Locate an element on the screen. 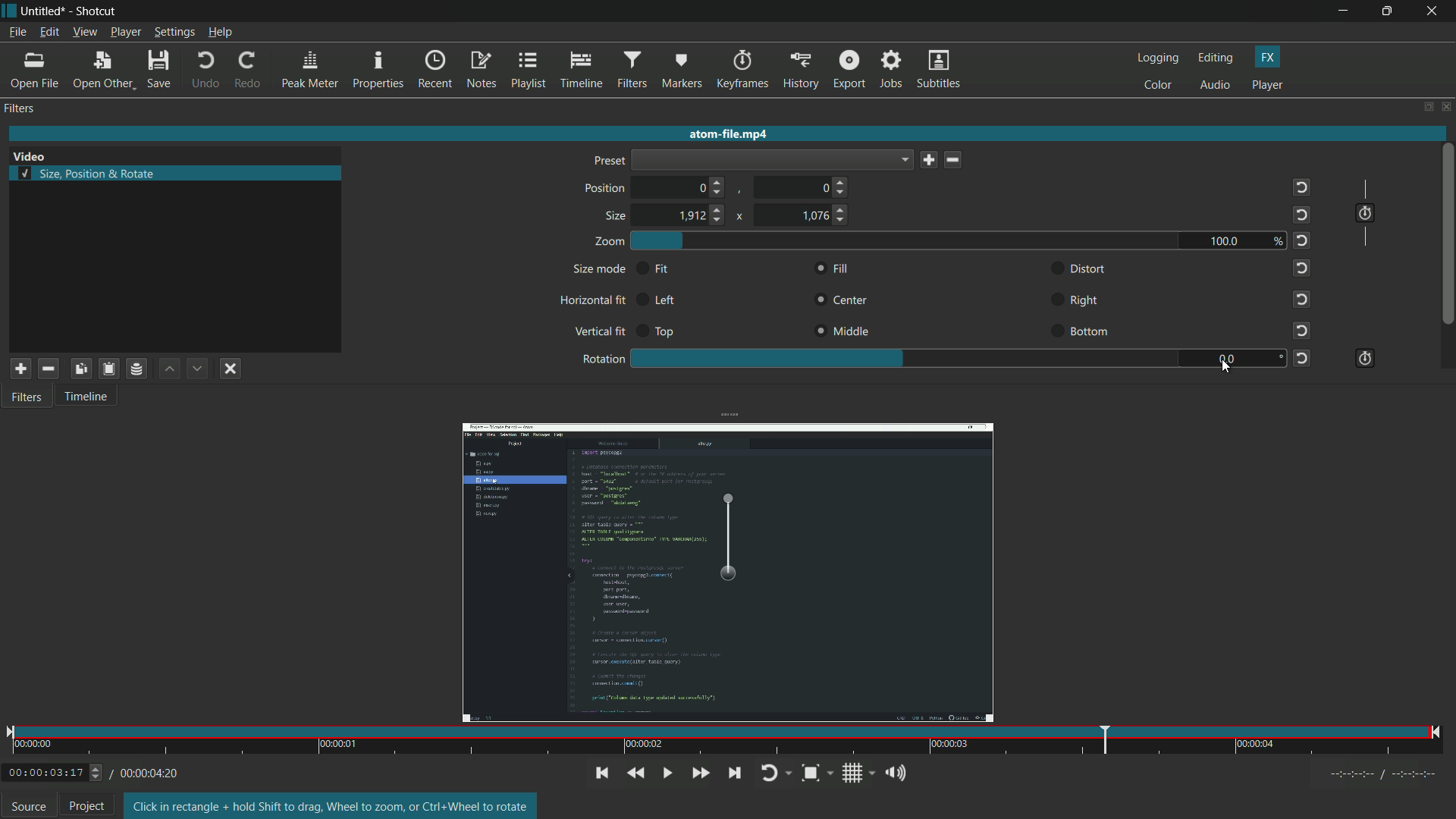  edit menu is located at coordinates (47, 34).